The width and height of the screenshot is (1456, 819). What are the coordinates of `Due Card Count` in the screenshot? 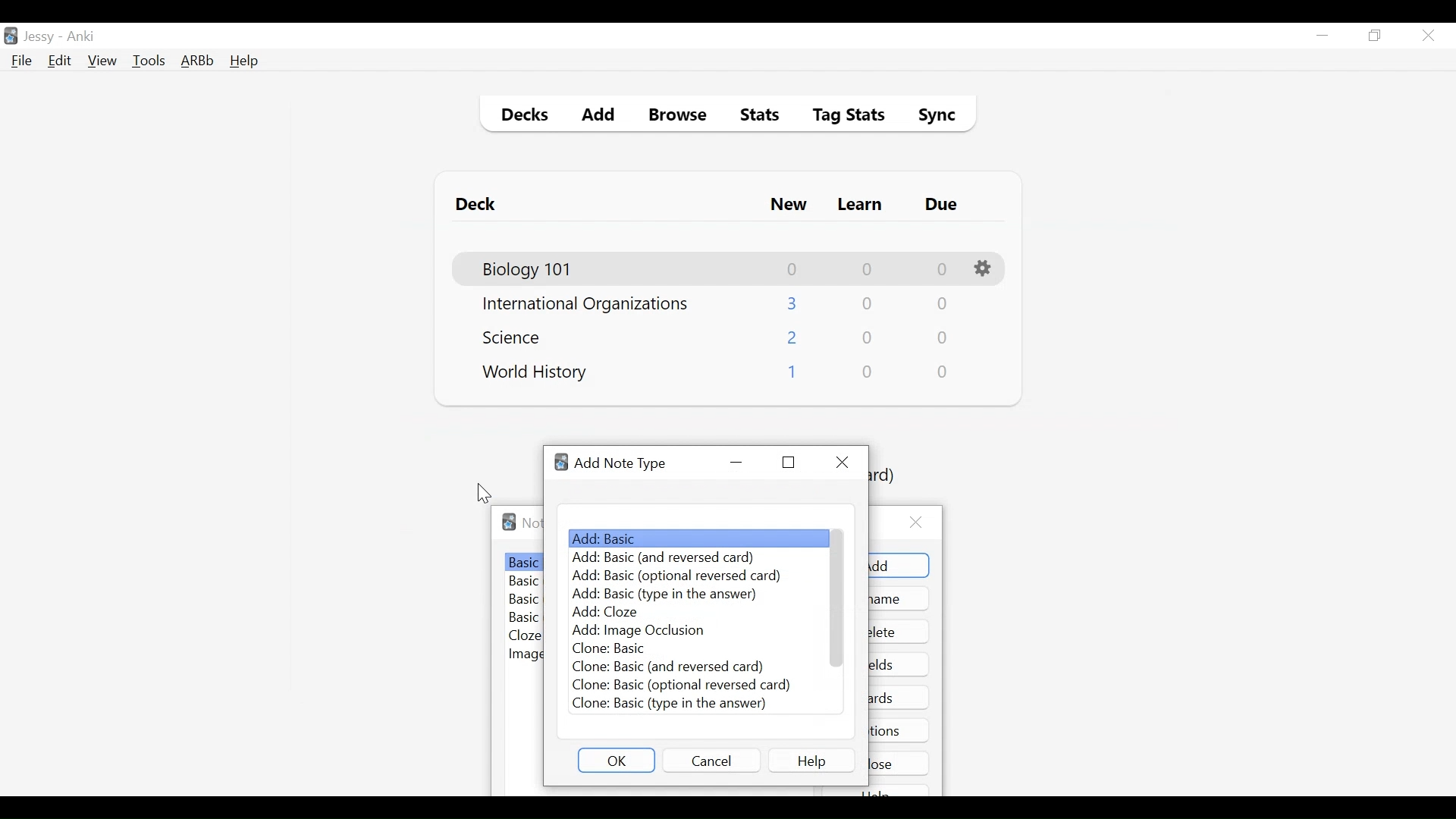 It's located at (943, 270).